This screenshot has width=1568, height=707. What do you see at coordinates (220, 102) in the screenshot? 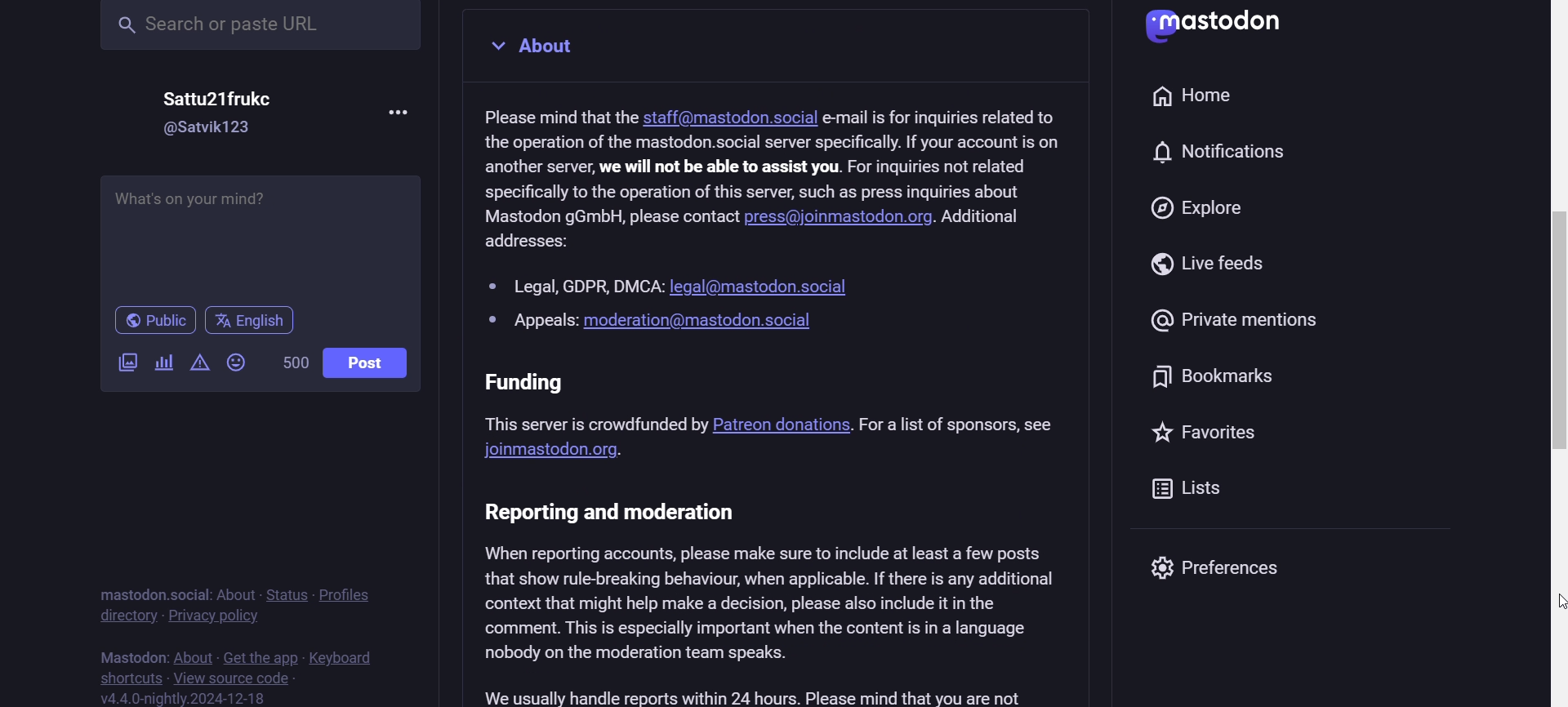
I see `Sattu21frukc` at bounding box center [220, 102].